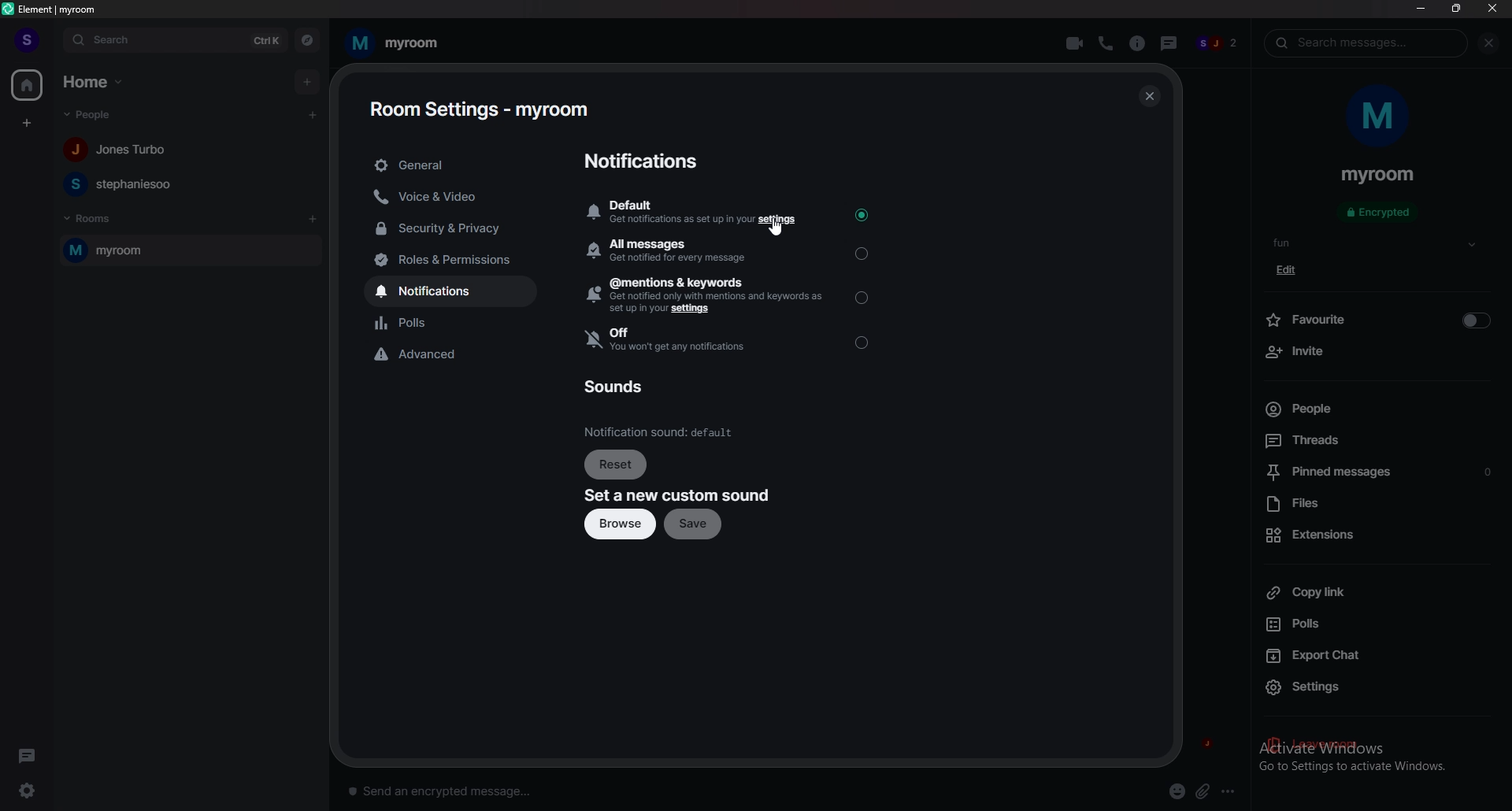  Describe the element at coordinates (1370, 439) in the screenshot. I see `threads` at that location.